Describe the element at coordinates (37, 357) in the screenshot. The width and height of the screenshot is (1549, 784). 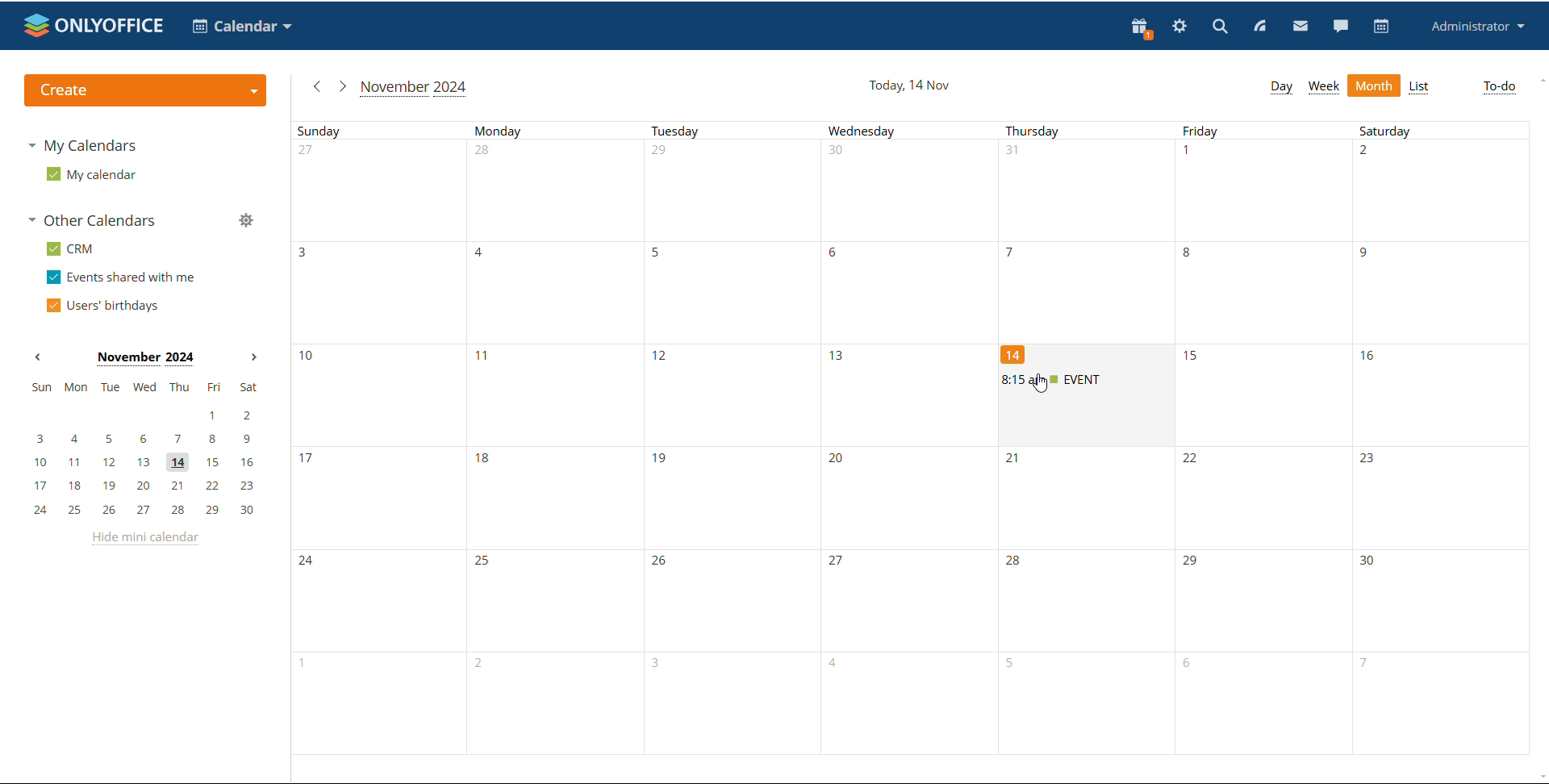
I see `previous month` at that location.